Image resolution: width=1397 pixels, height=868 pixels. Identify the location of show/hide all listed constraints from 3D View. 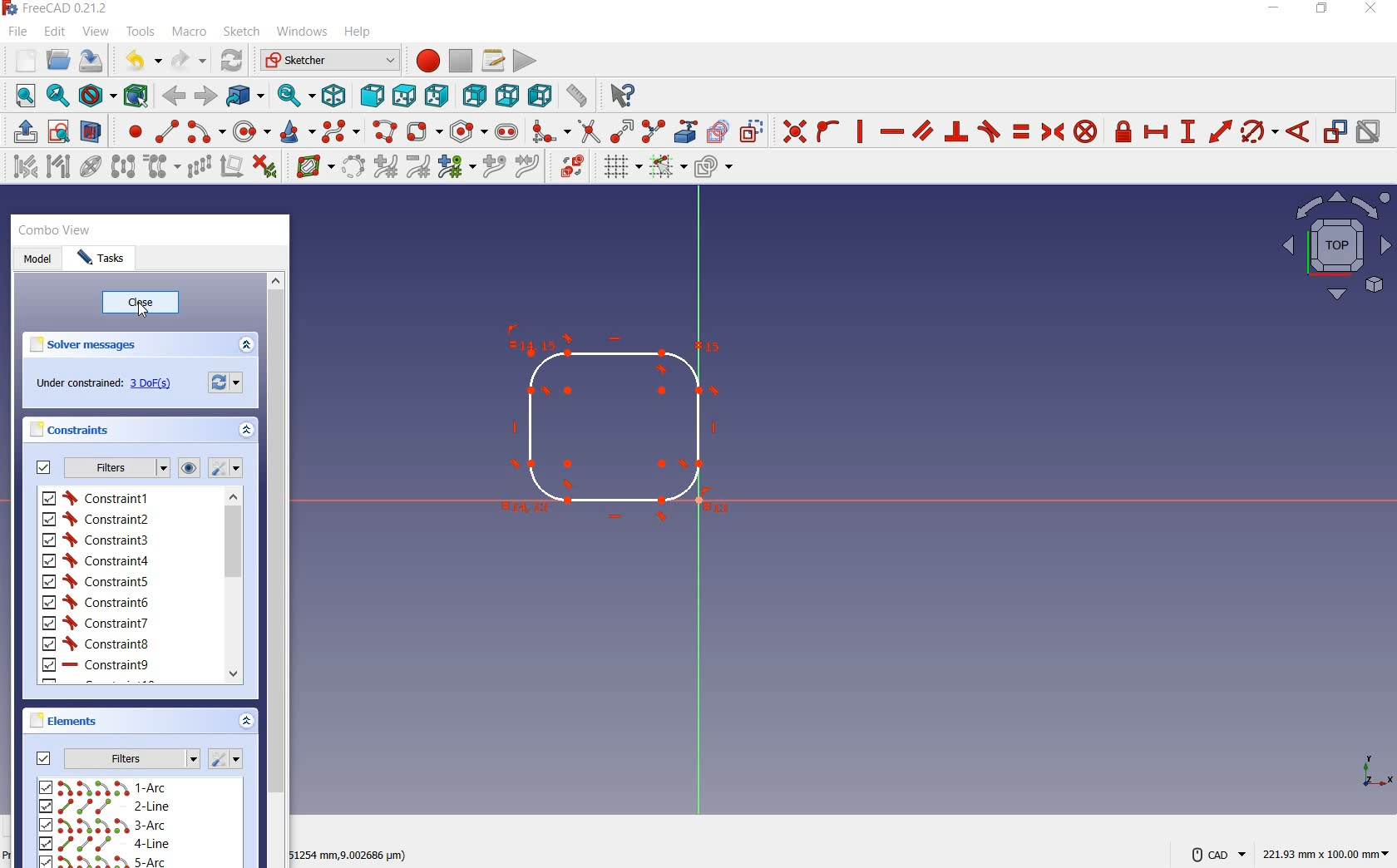
(190, 468).